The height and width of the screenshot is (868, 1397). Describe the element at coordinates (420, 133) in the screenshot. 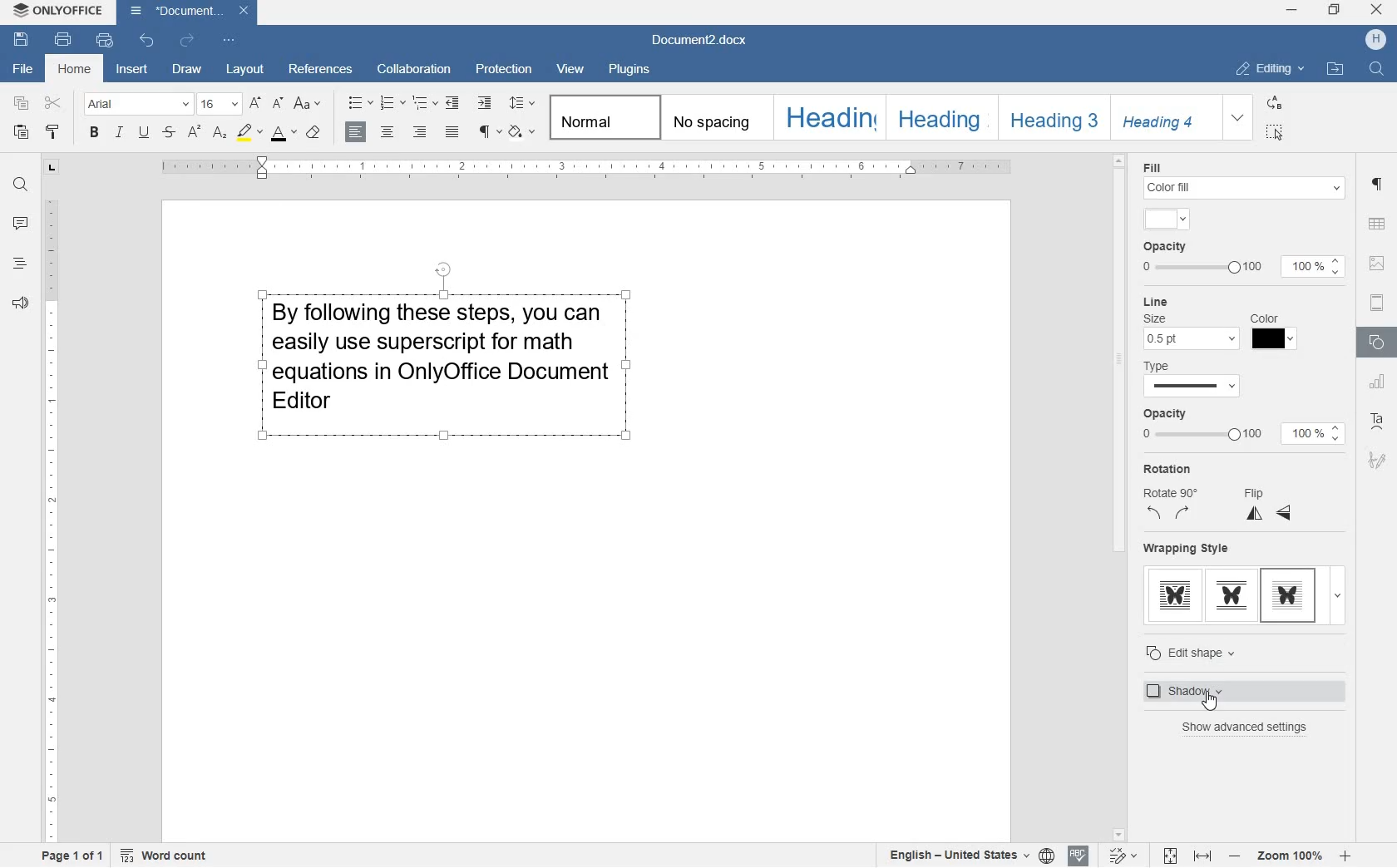

I see `right alignment` at that location.